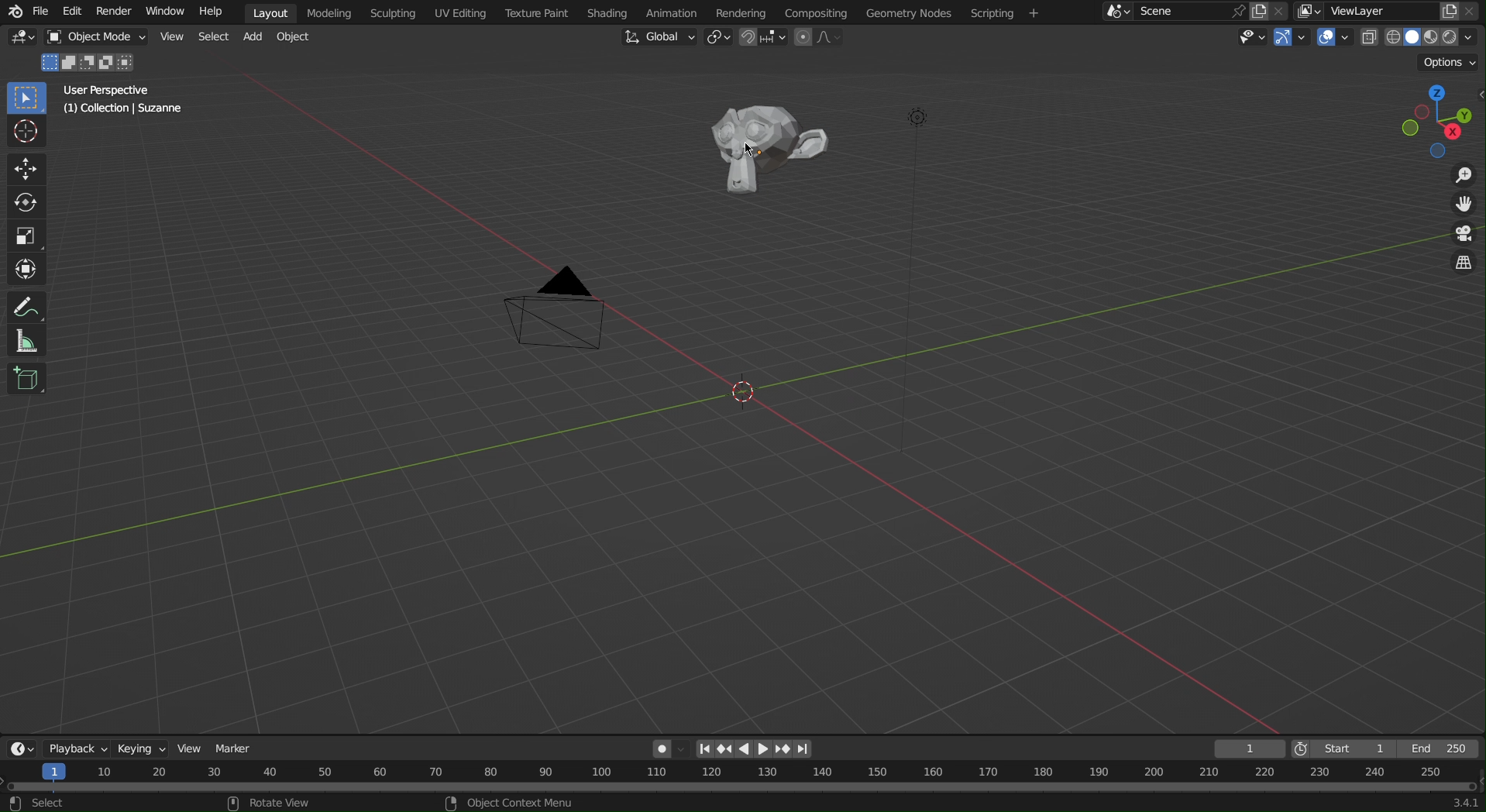 Image resolution: width=1486 pixels, height=812 pixels. I want to click on Annotate, so click(28, 306).